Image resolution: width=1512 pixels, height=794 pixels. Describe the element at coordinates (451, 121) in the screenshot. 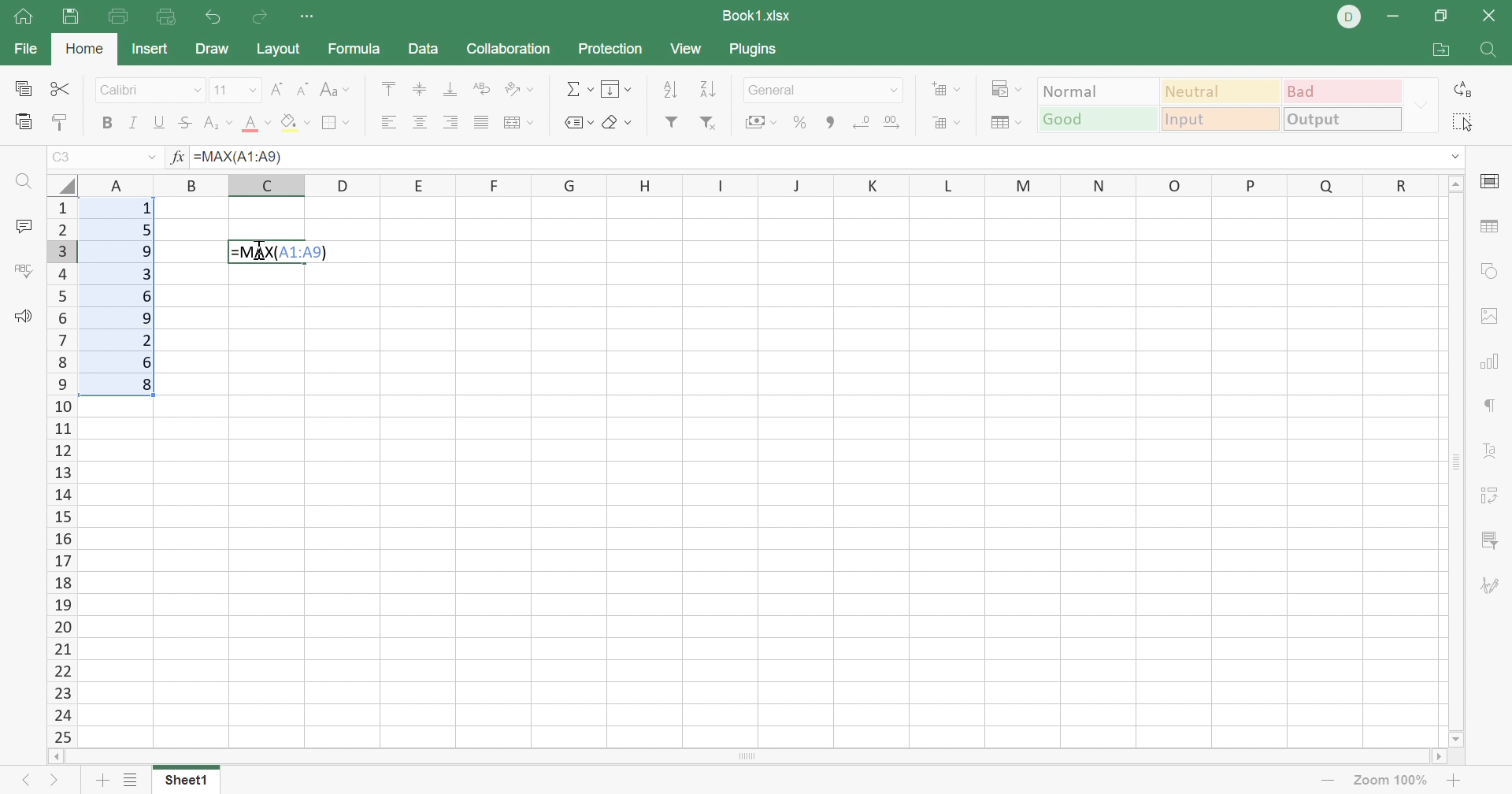

I see `Align Right` at that location.